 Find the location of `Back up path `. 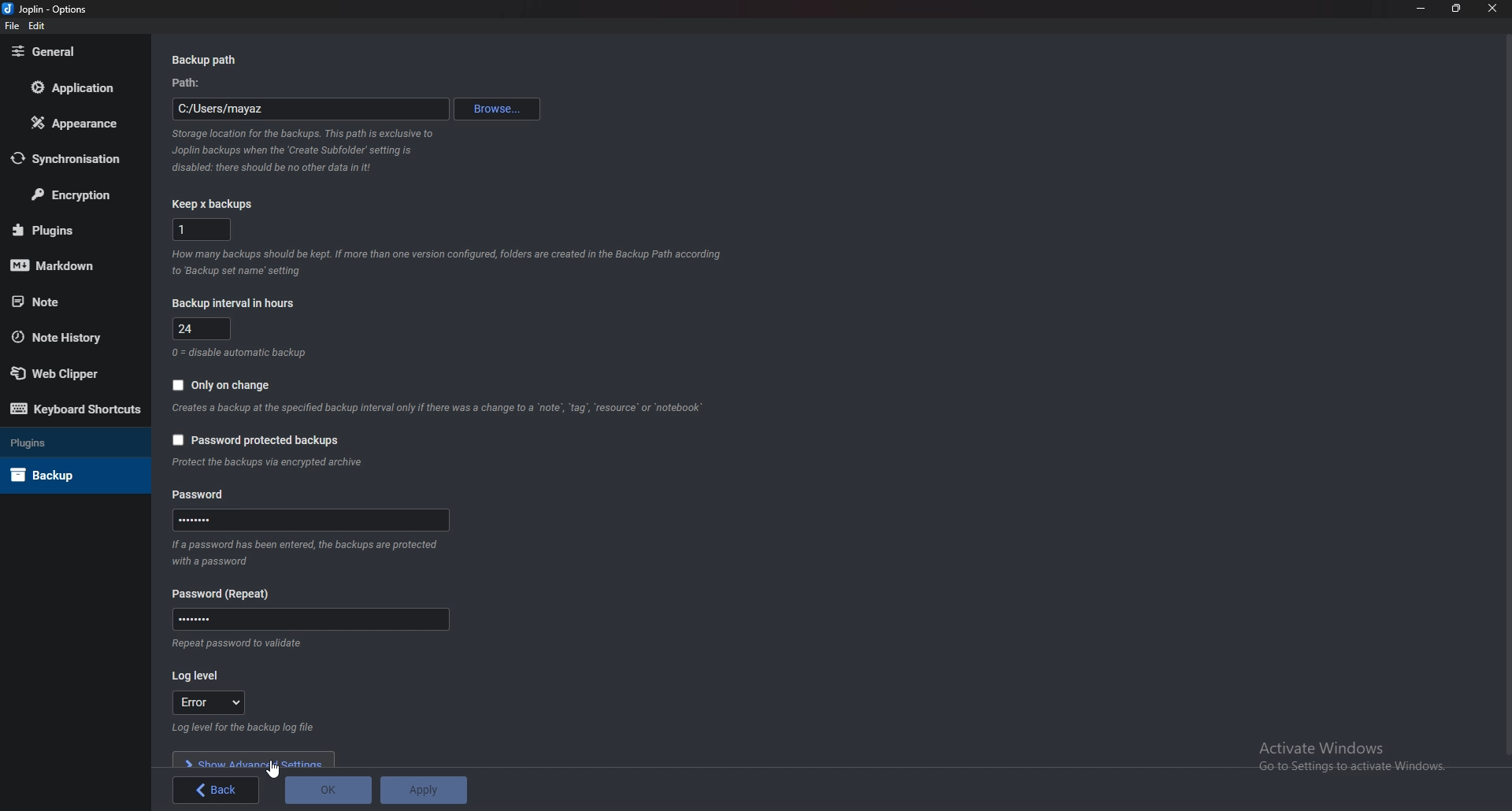

Back up path  is located at coordinates (206, 61).